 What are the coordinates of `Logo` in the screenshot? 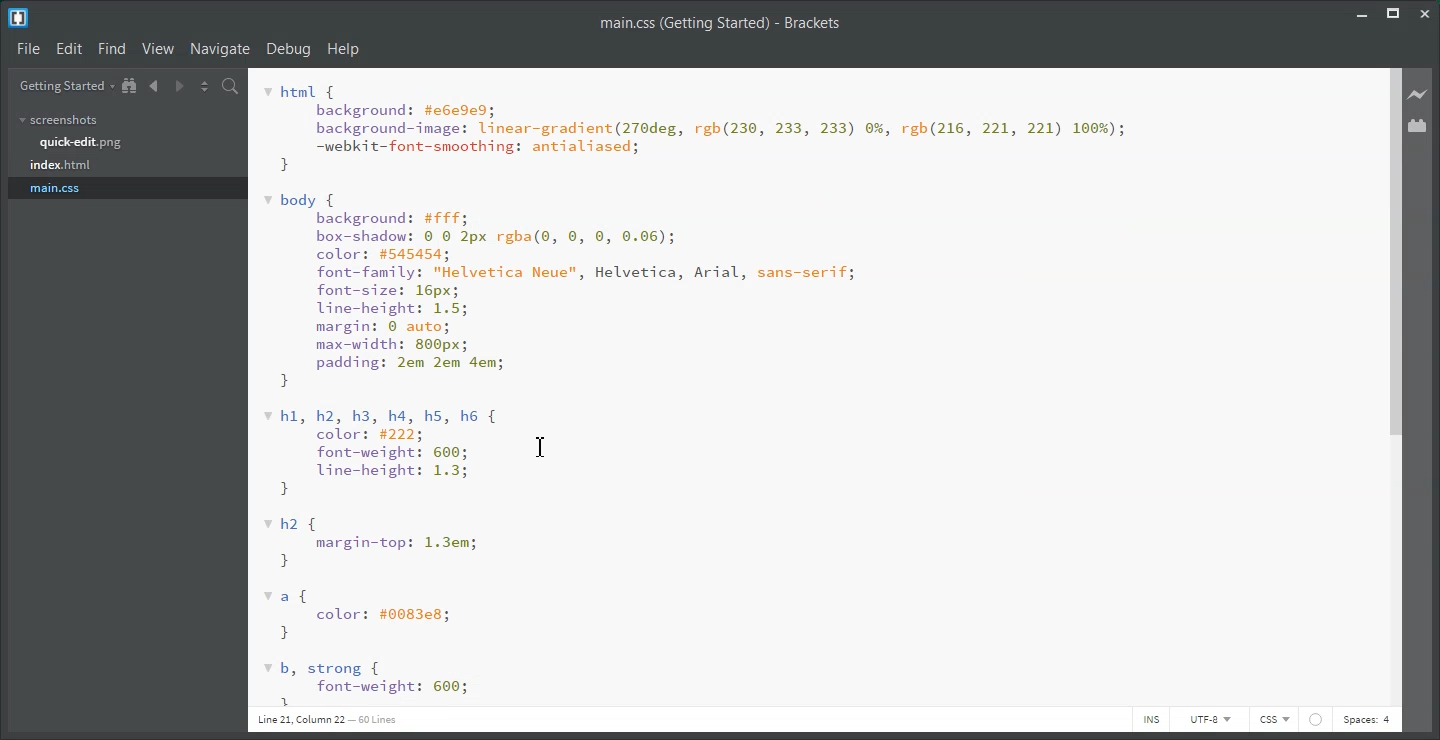 It's located at (18, 19).